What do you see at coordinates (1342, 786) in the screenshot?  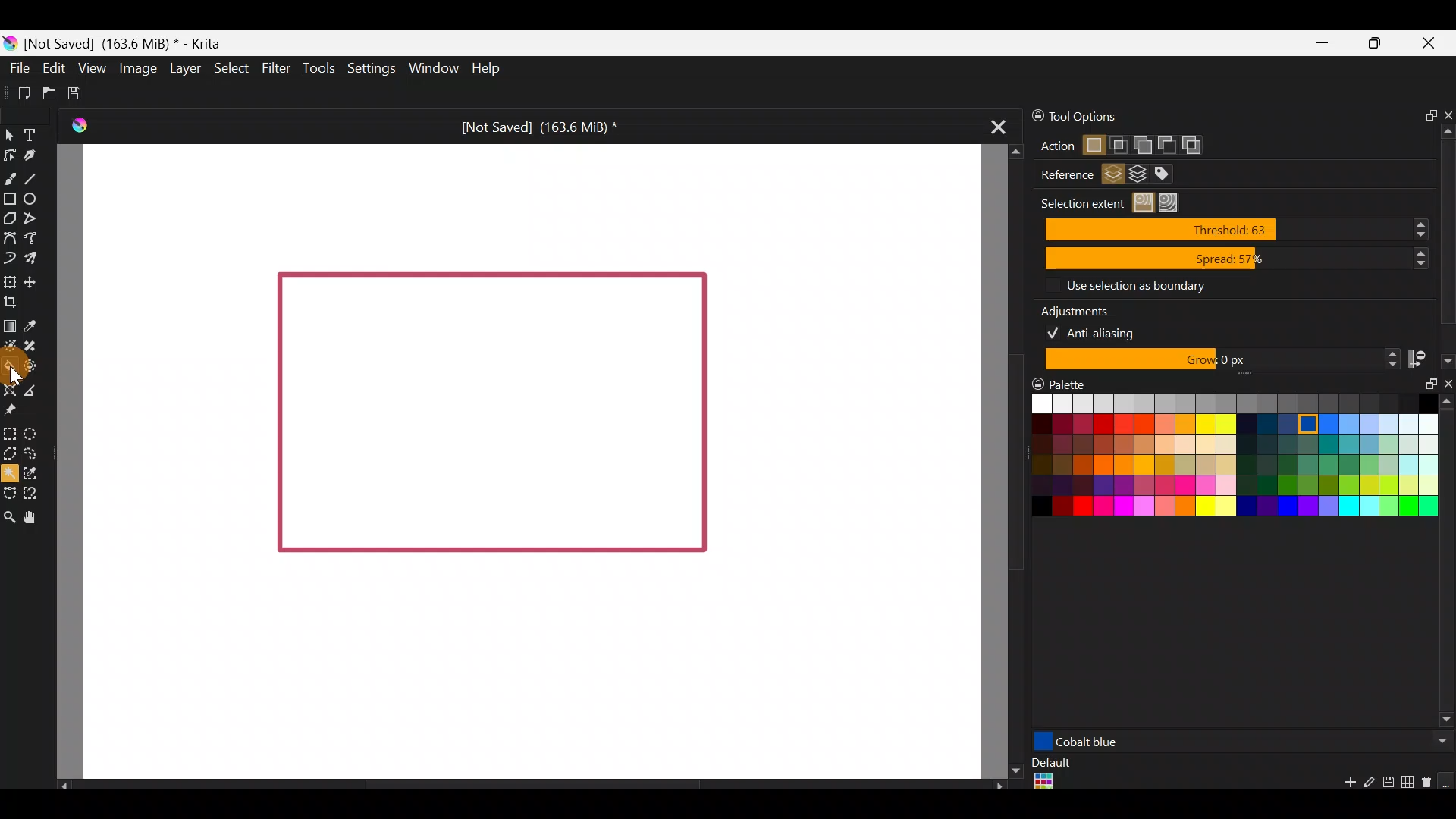 I see `Add a new colour swatch` at bounding box center [1342, 786].